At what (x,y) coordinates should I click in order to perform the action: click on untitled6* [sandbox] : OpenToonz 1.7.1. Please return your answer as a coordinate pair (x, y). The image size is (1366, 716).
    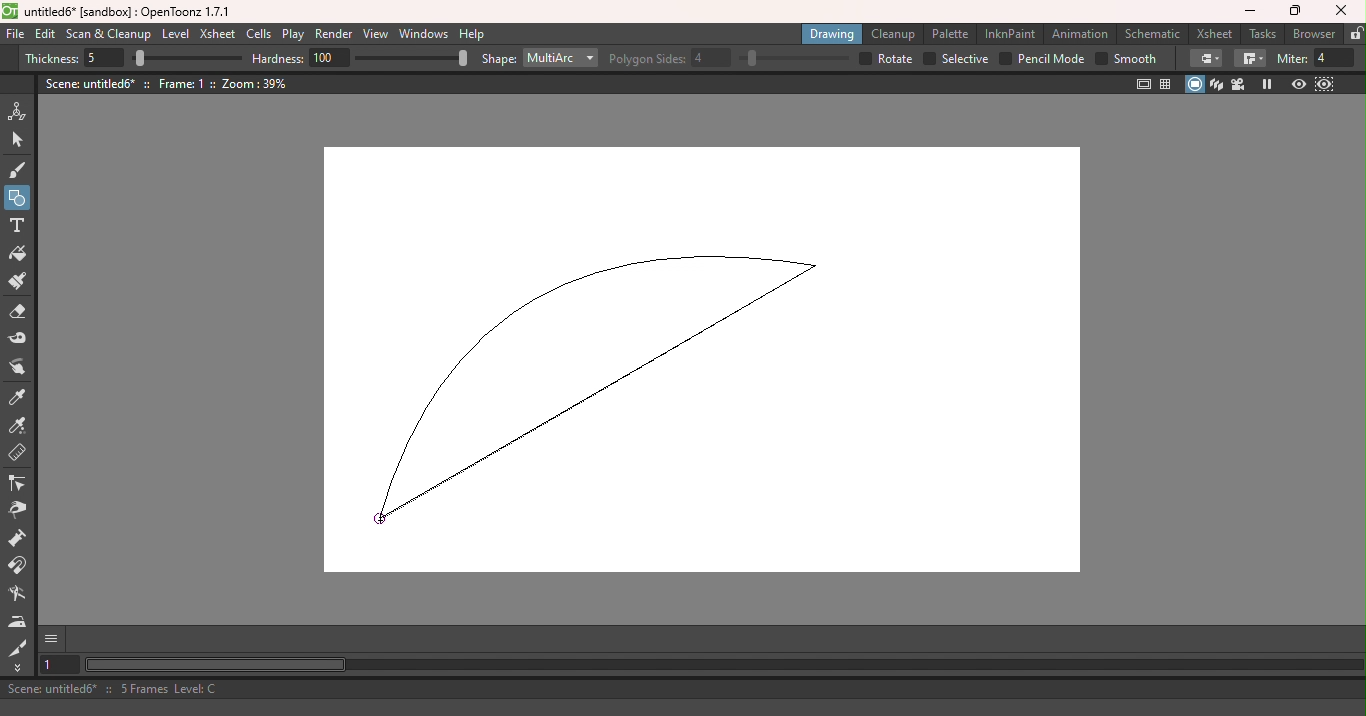
    Looking at the image, I should click on (119, 12).